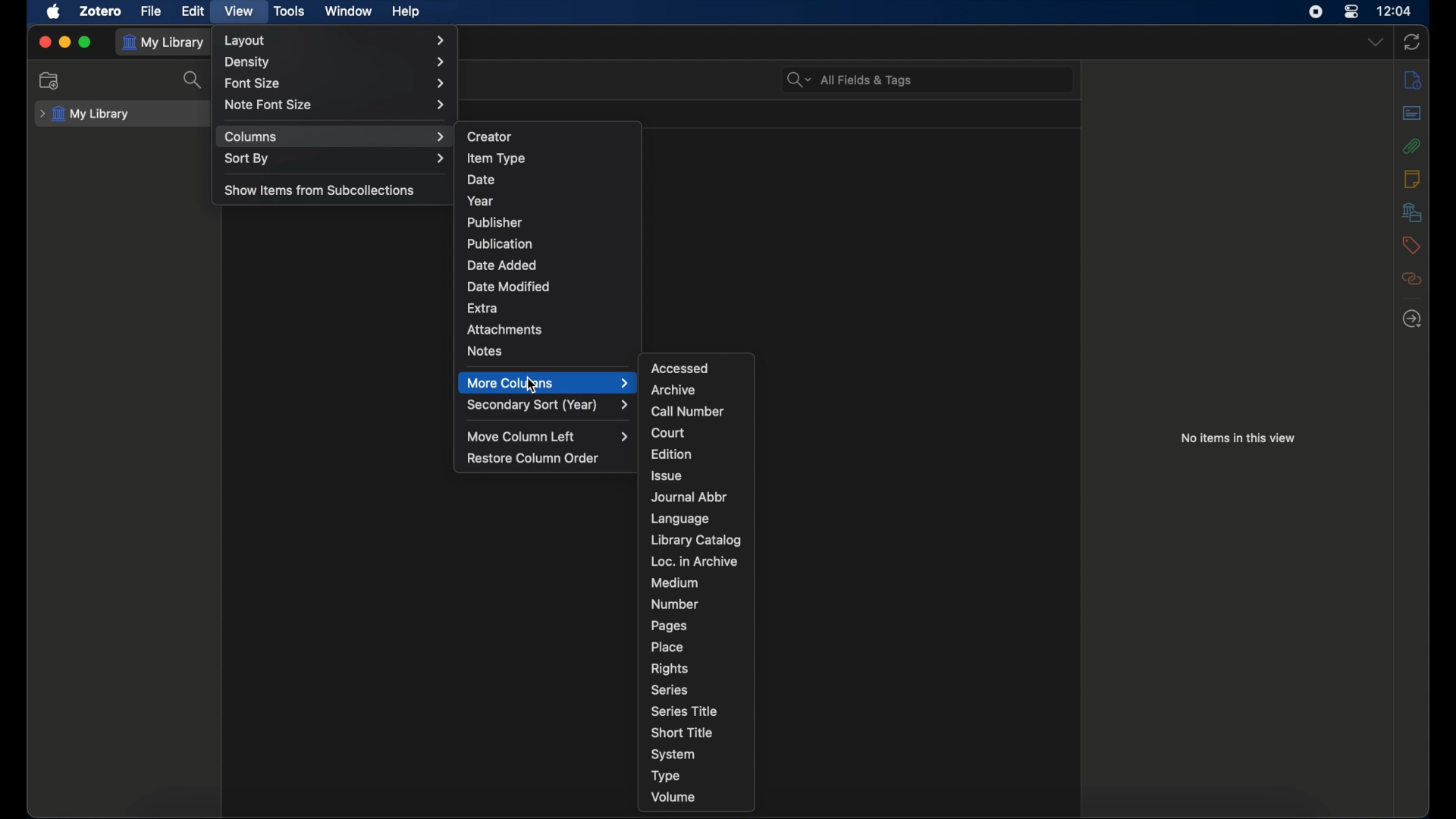 This screenshot has height=819, width=1456. I want to click on tools, so click(290, 11).